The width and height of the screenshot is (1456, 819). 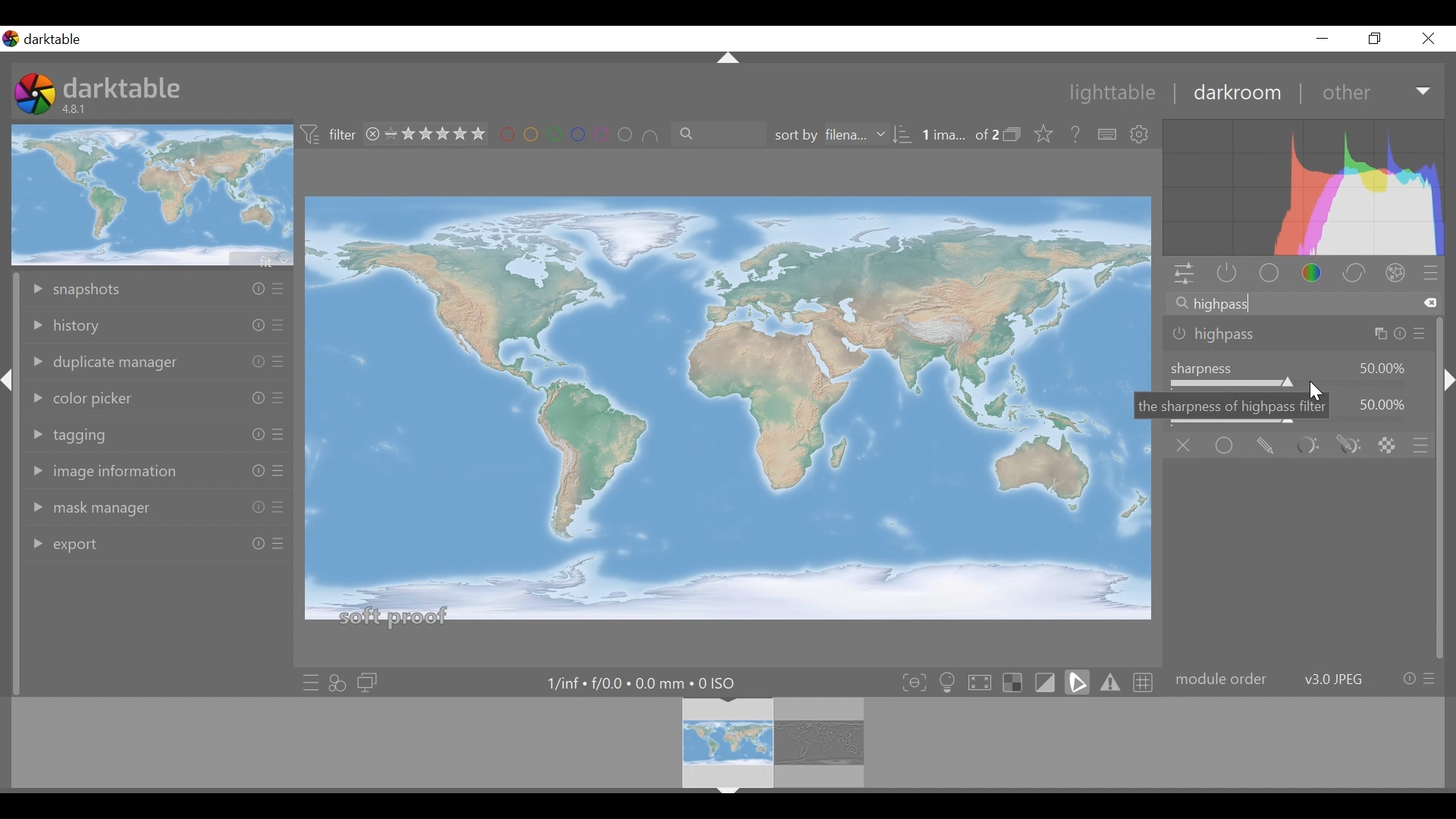 What do you see at coordinates (1204, 369) in the screenshot?
I see `sharpness` at bounding box center [1204, 369].